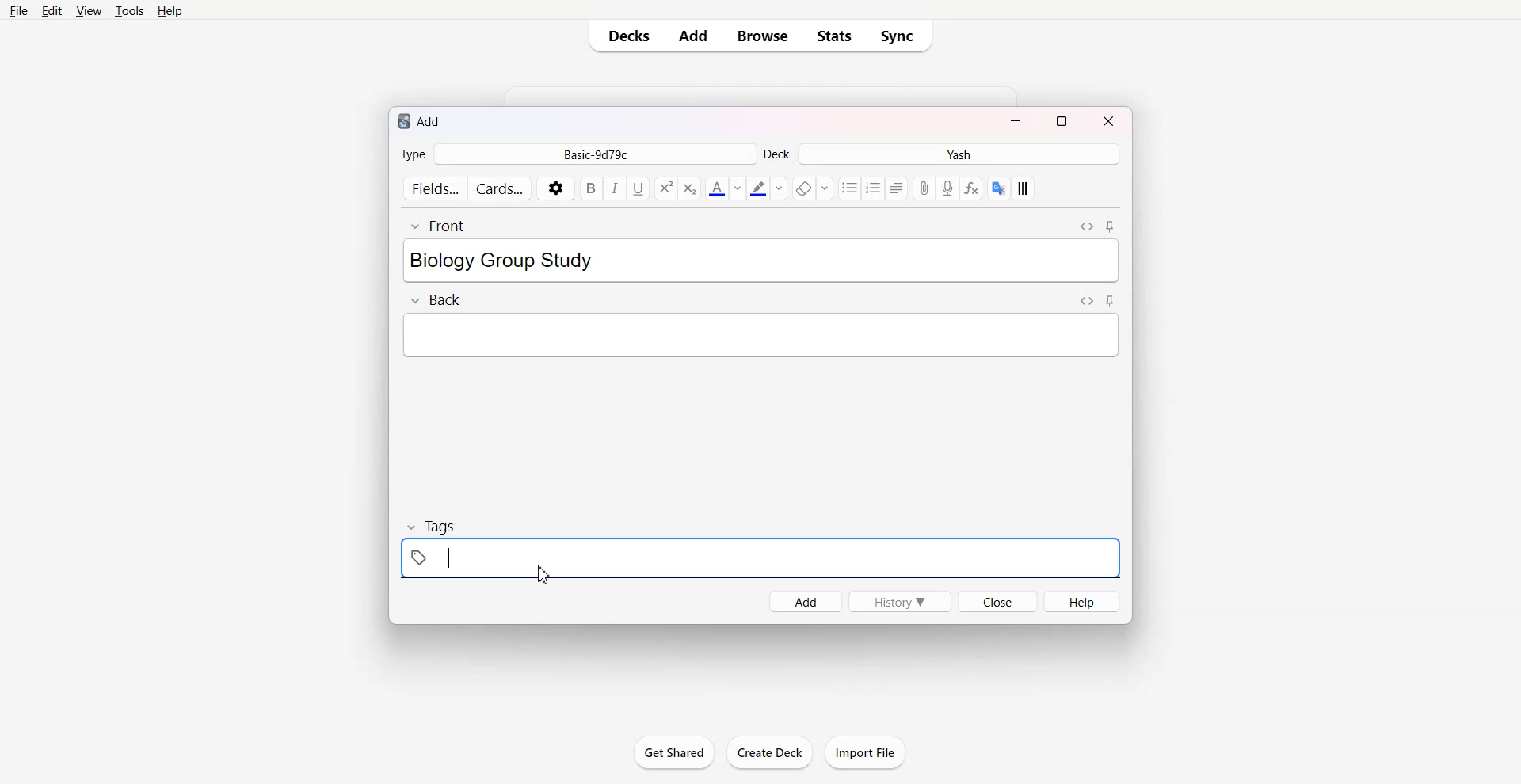  I want to click on Add, so click(693, 36).